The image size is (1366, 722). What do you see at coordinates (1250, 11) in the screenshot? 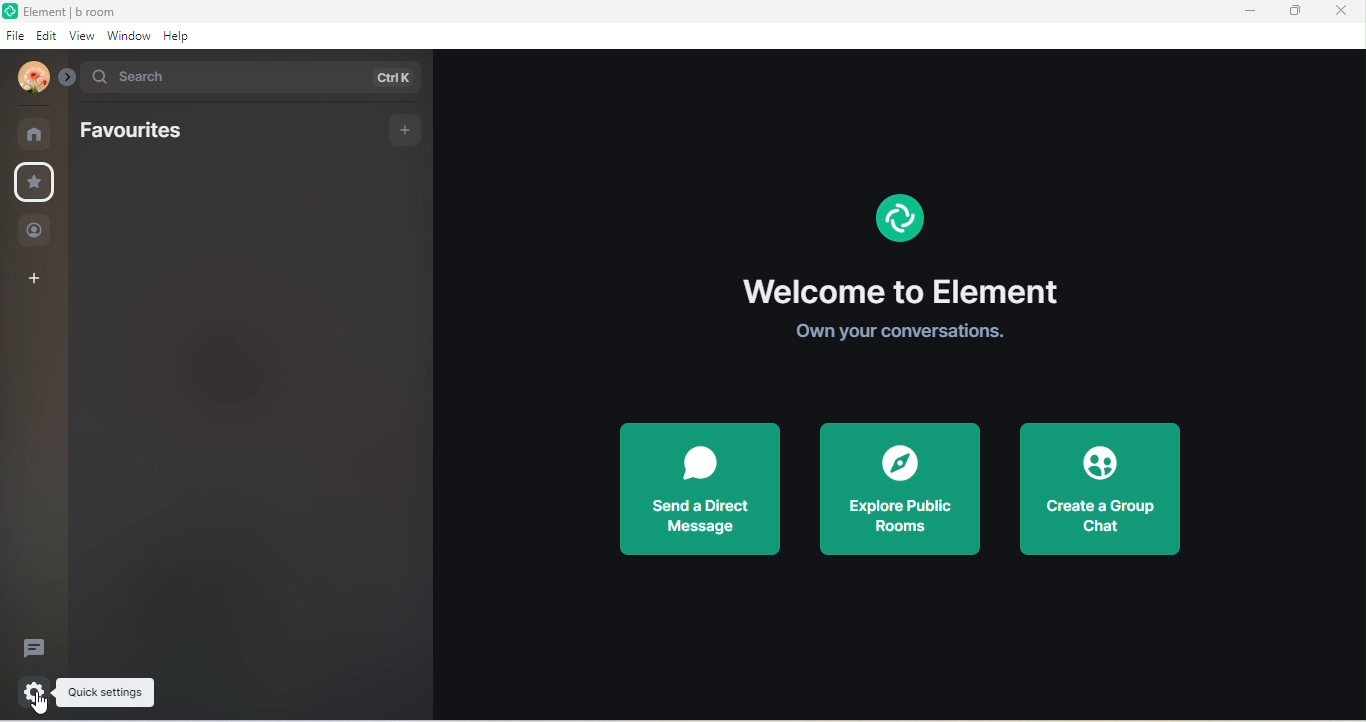
I see `minimize` at bounding box center [1250, 11].